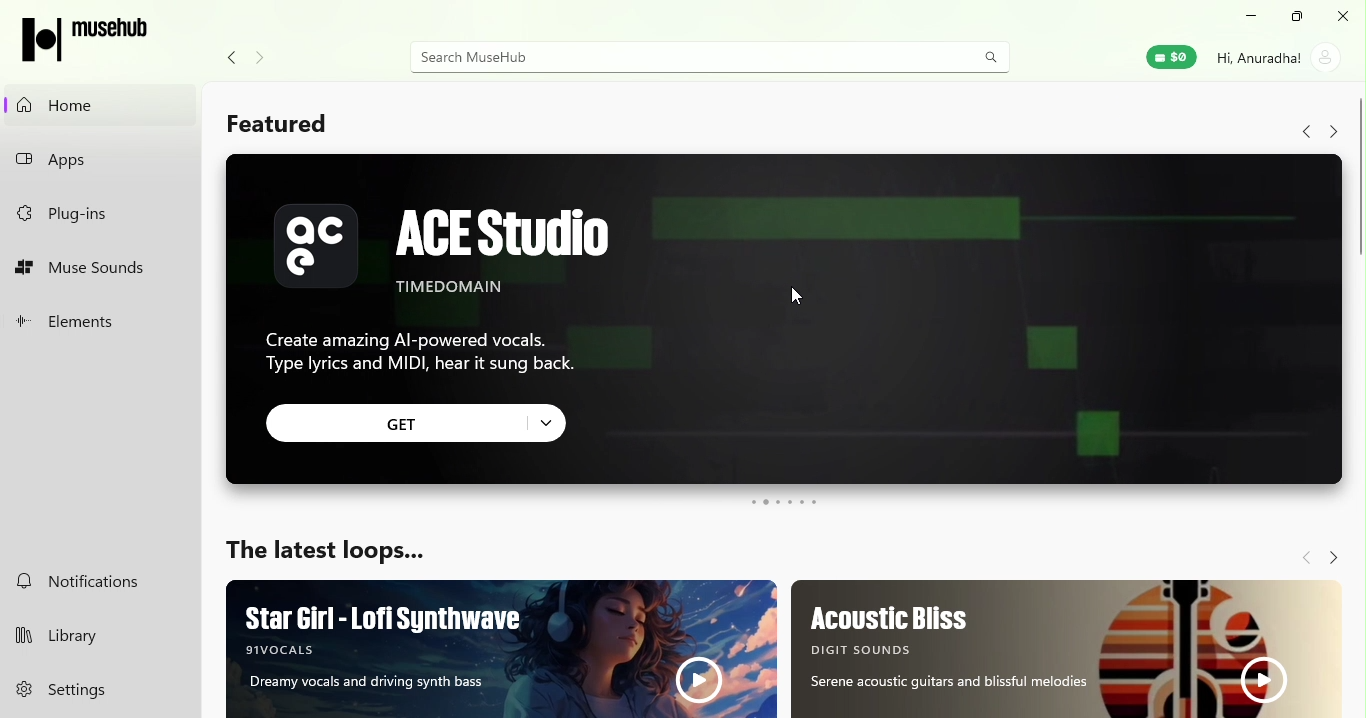  Describe the element at coordinates (496, 648) in the screenshot. I see `Ad` at that location.